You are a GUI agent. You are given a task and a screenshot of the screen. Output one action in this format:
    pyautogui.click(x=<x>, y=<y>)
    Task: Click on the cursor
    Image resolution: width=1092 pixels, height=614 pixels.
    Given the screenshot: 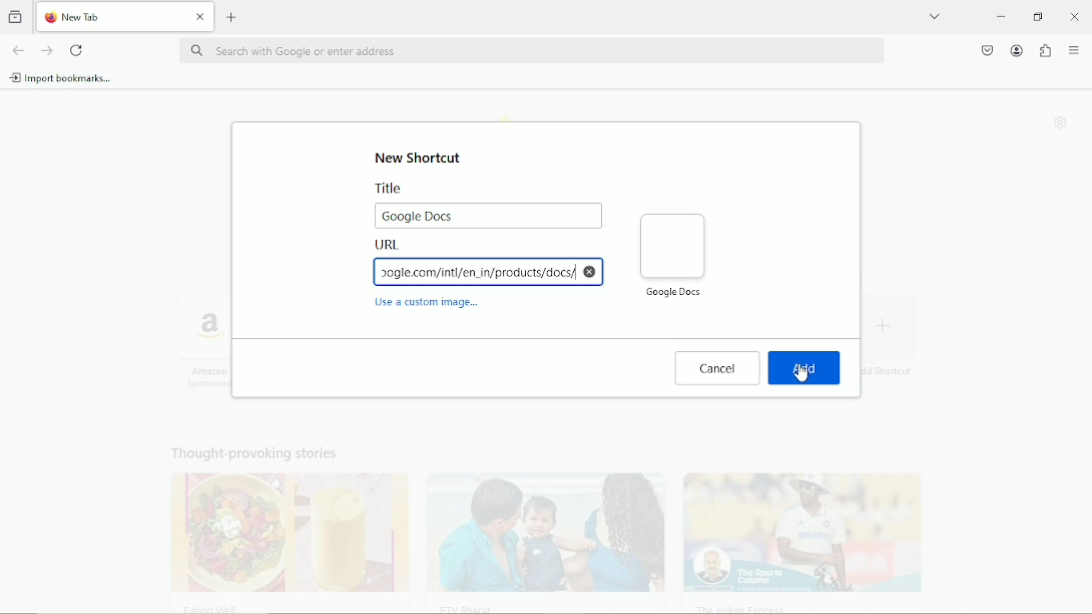 What is the action you would take?
    pyautogui.click(x=801, y=372)
    